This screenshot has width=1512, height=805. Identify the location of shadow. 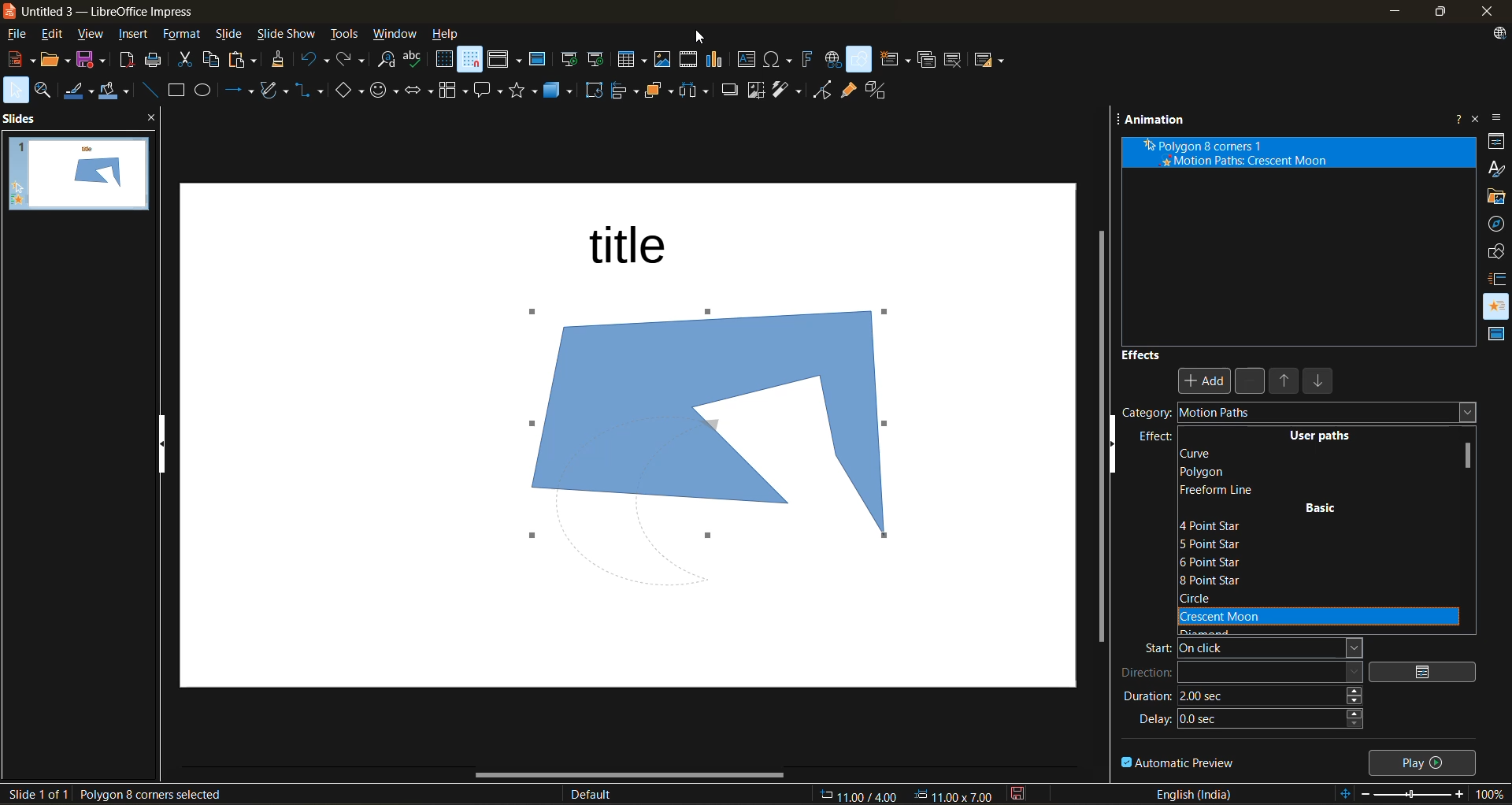
(731, 90).